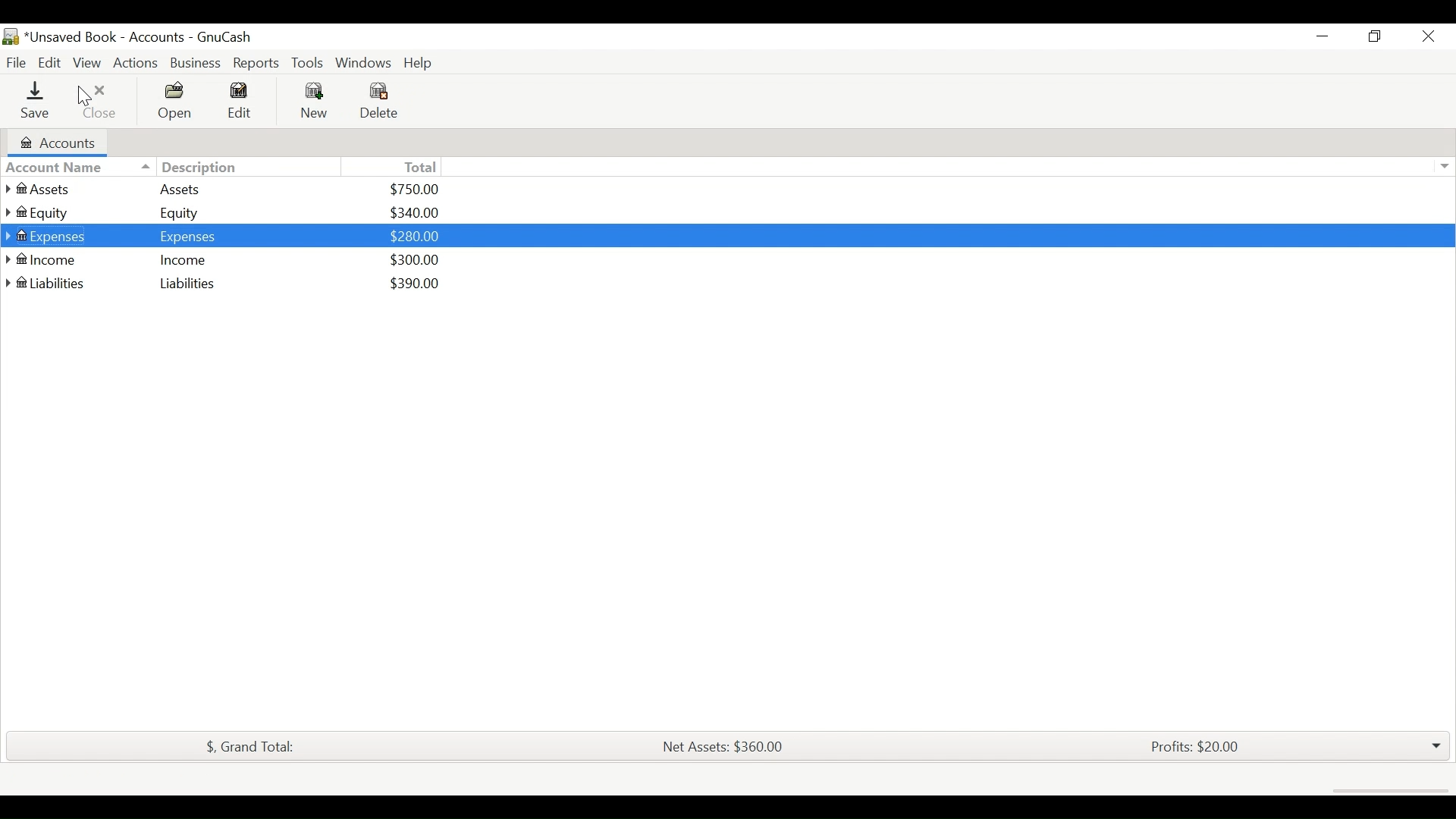 This screenshot has height=819, width=1456. Describe the element at coordinates (256, 62) in the screenshot. I see `Reports` at that location.